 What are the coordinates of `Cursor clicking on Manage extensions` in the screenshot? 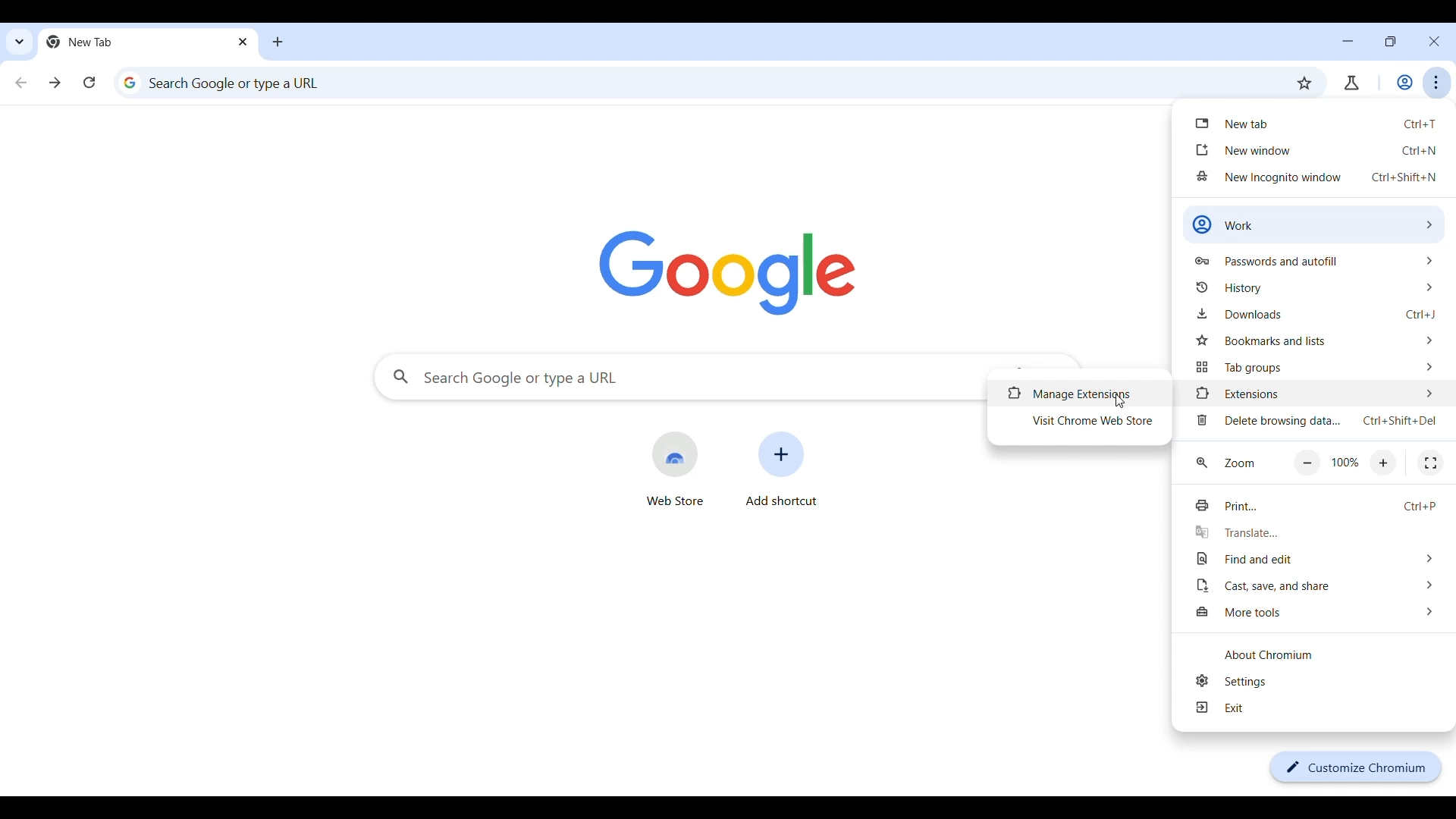 It's located at (1120, 400).